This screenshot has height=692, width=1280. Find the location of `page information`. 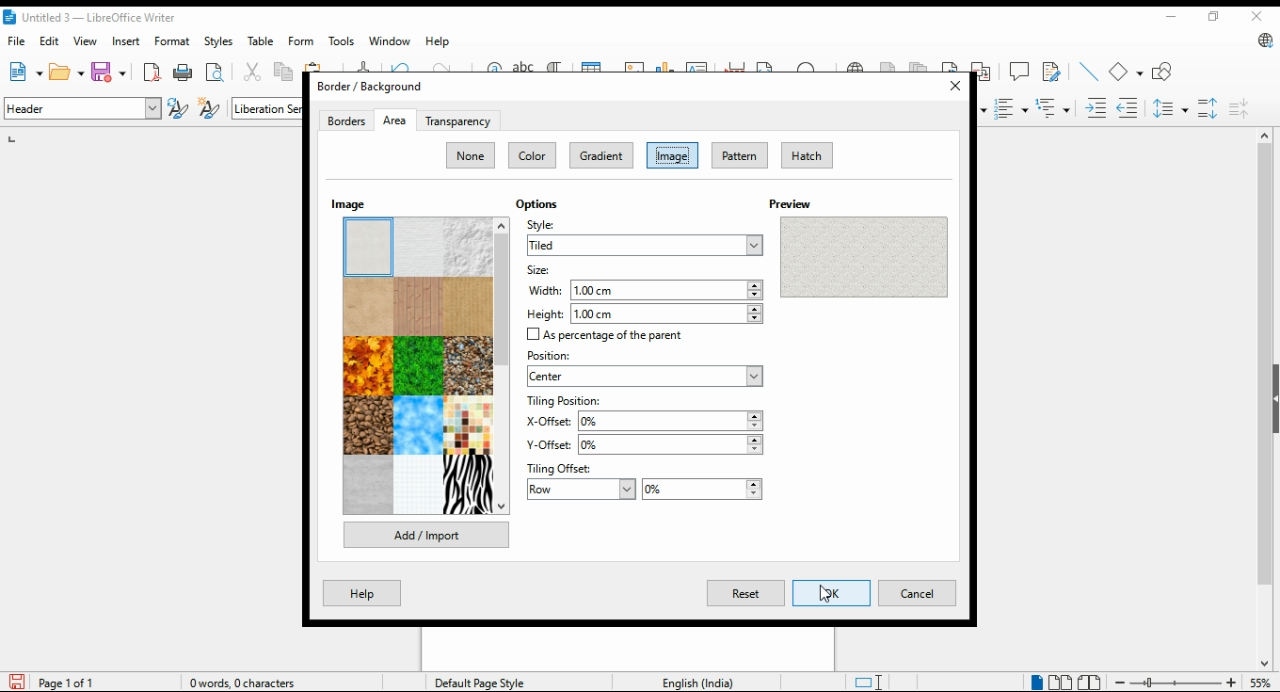

page information is located at coordinates (62, 682).